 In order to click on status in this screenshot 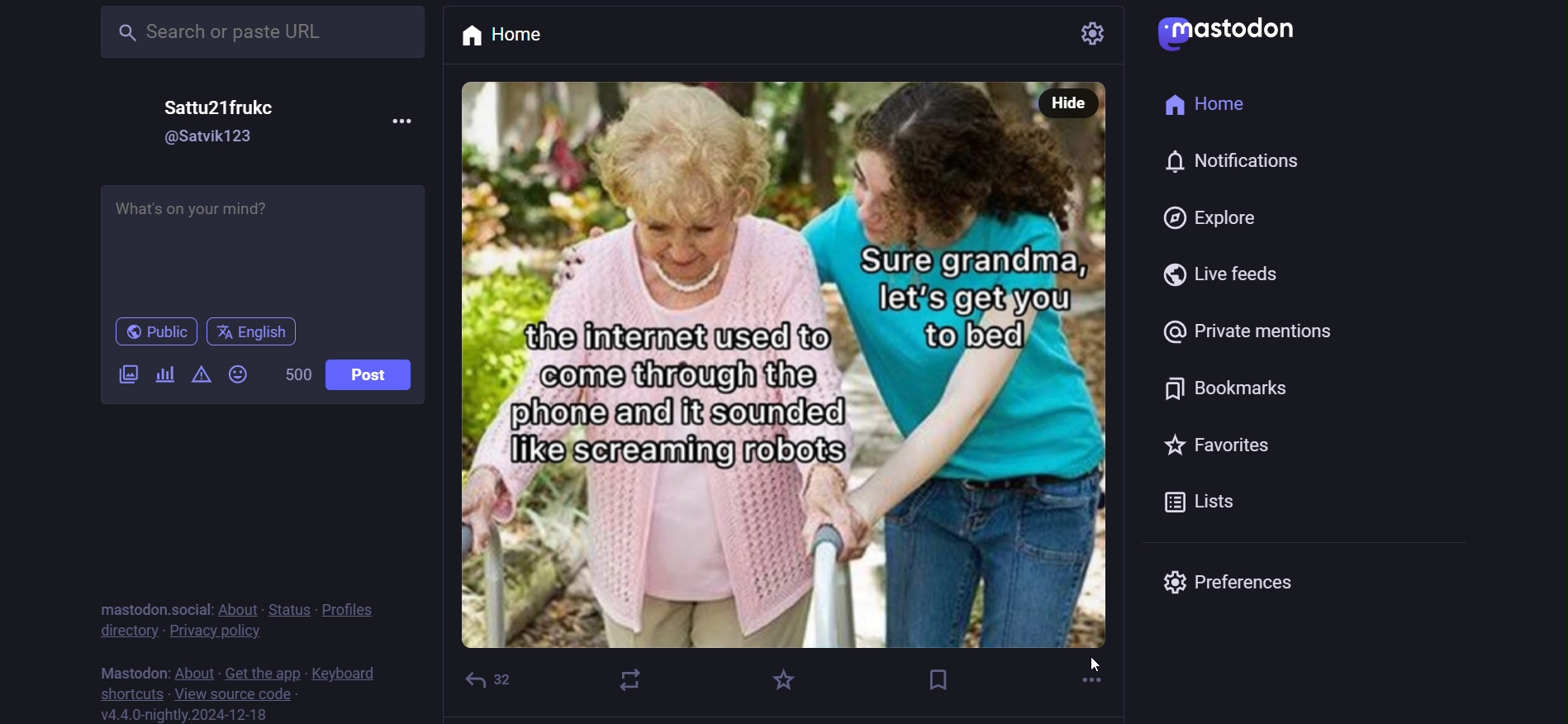, I will do `click(291, 606)`.